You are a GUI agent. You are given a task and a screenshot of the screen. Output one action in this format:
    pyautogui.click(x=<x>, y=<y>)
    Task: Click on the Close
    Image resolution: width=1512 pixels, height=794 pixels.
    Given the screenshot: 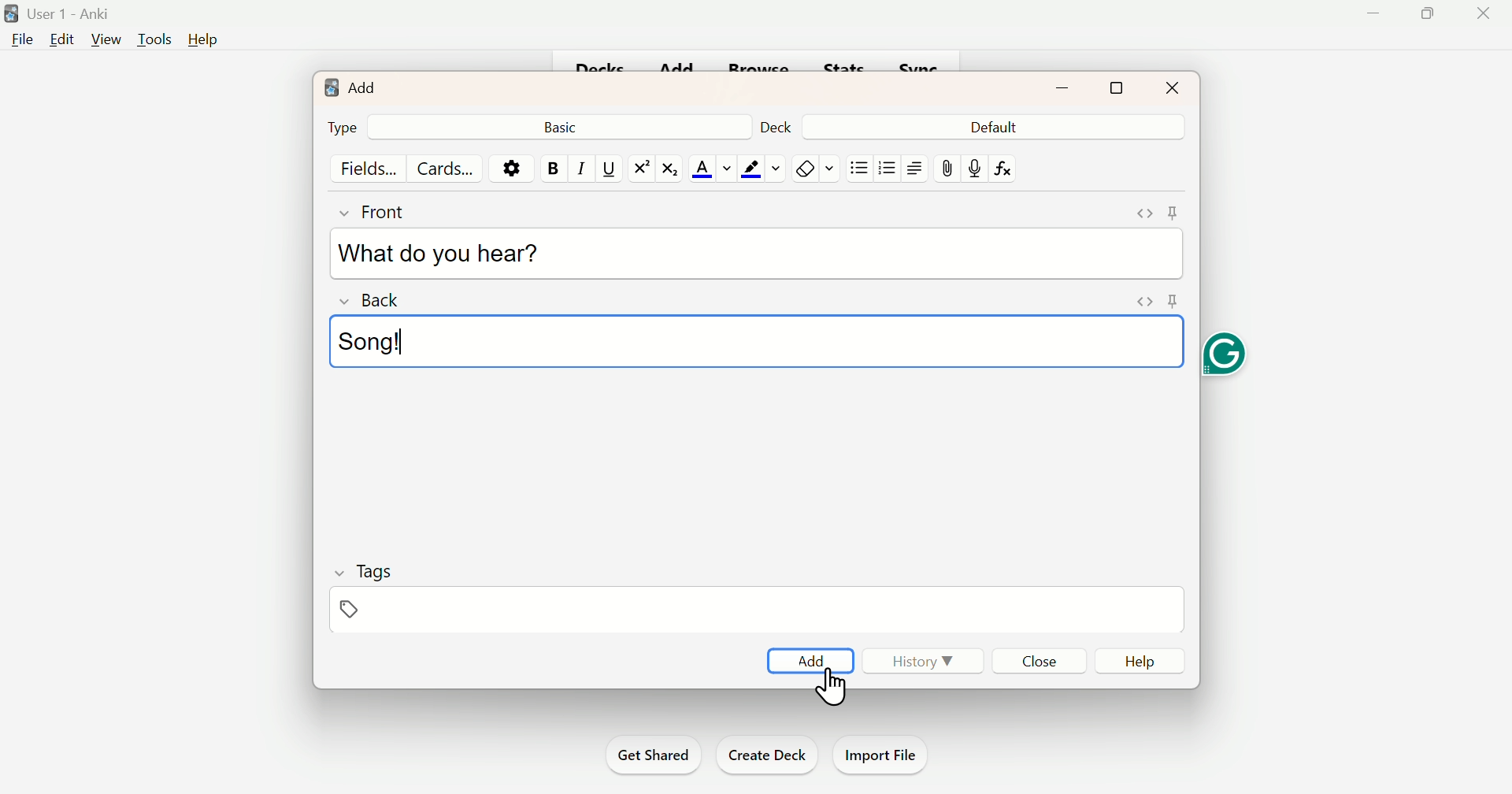 What is the action you would take?
    pyautogui.click(x=1173, y=87)
    